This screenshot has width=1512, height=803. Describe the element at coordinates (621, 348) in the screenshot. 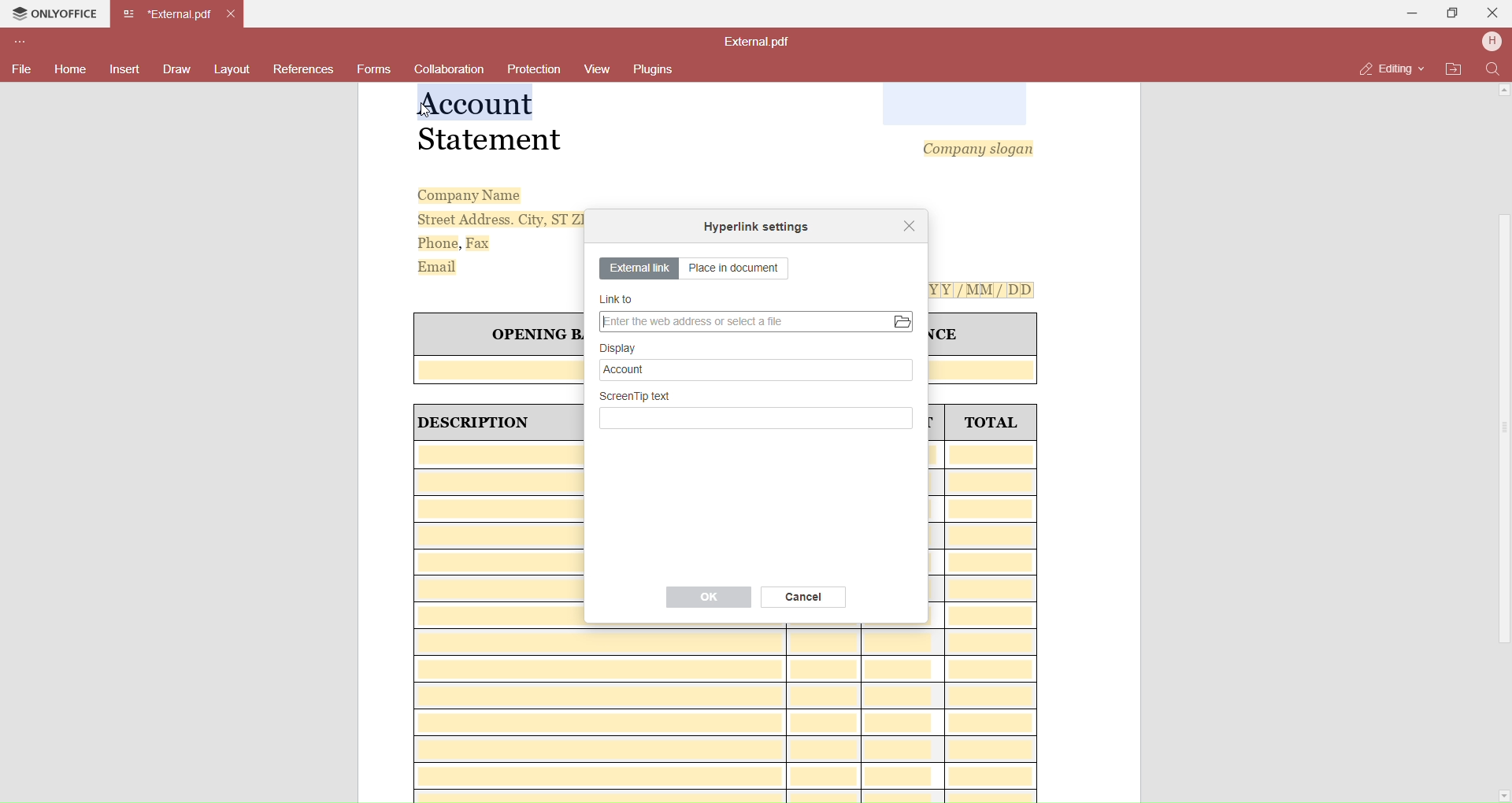

I see `Display` at that location.